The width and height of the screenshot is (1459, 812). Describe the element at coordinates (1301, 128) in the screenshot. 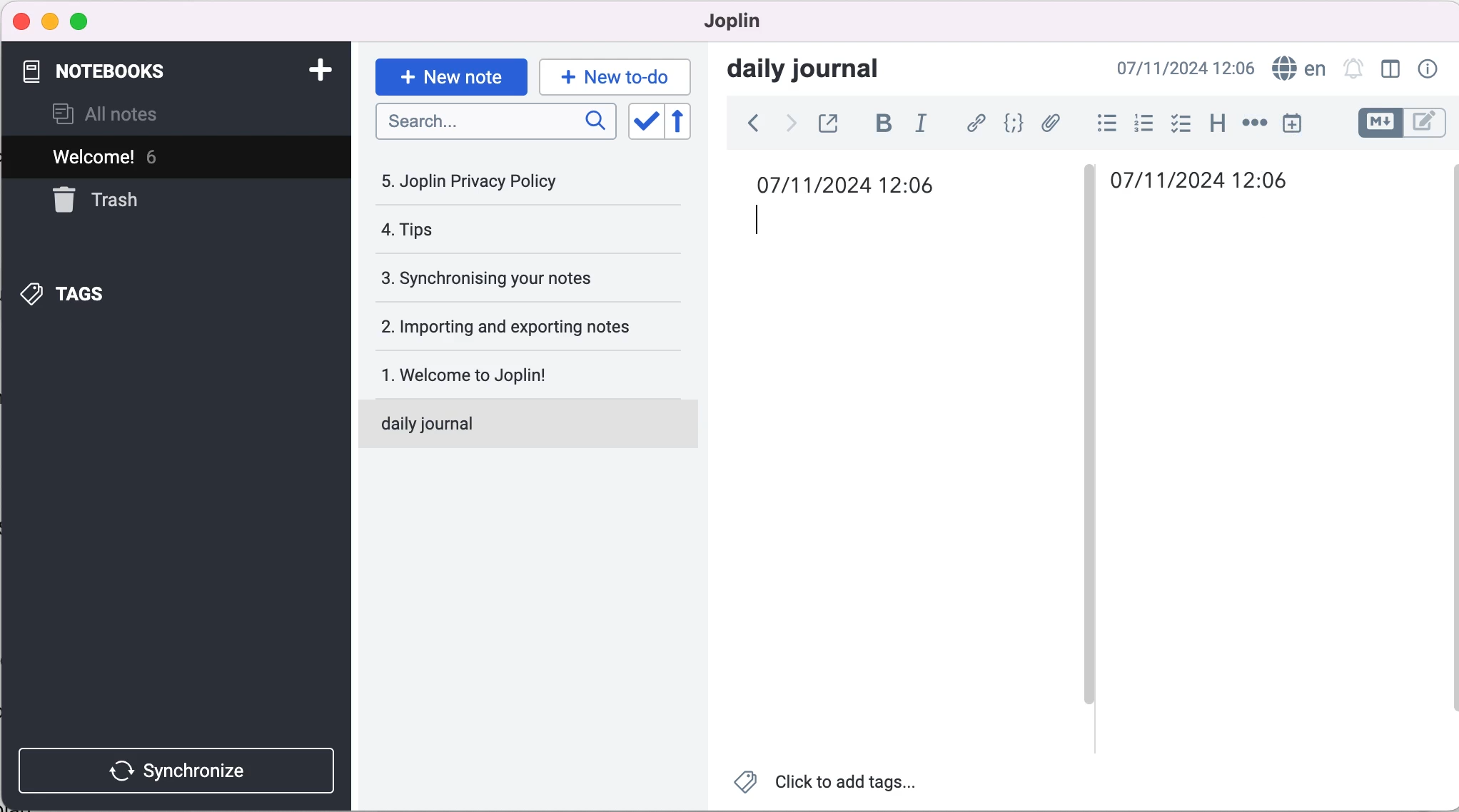

I see `insert time` at that location.